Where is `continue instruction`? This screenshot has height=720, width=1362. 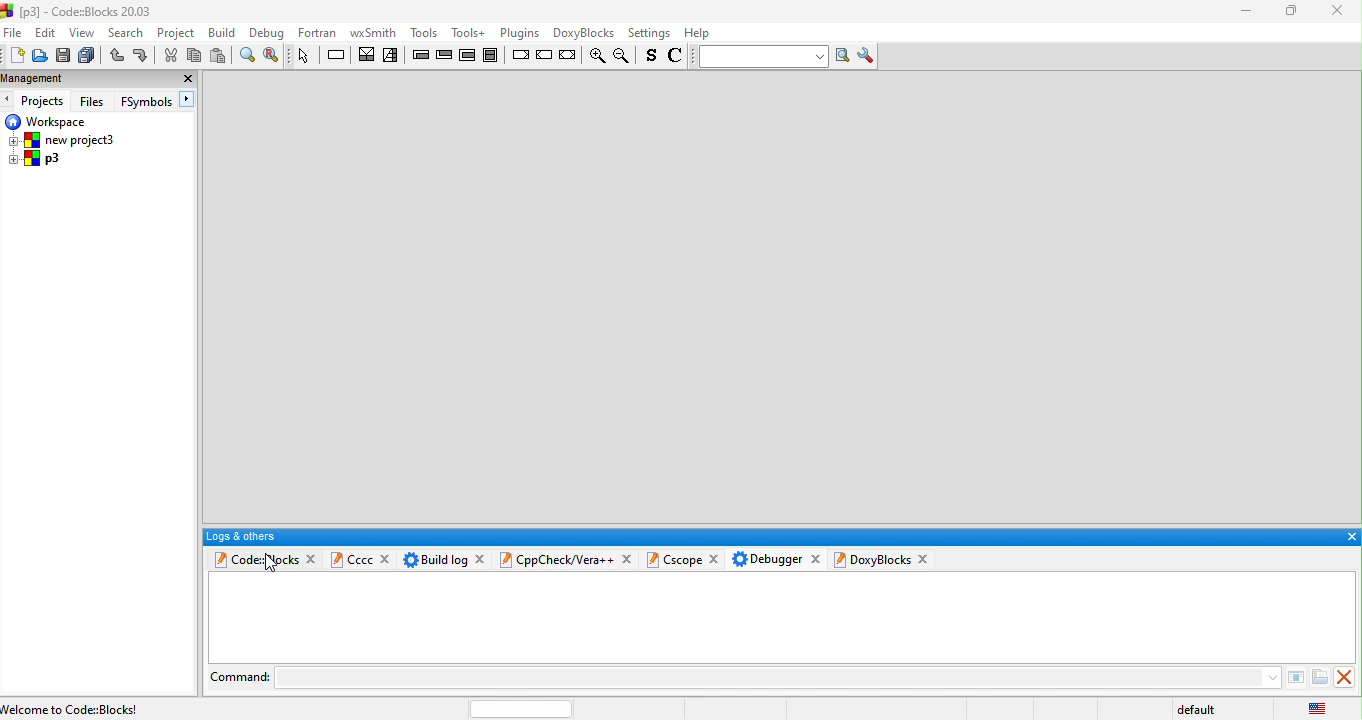 continue instruction is located at coordinates (545, 56).